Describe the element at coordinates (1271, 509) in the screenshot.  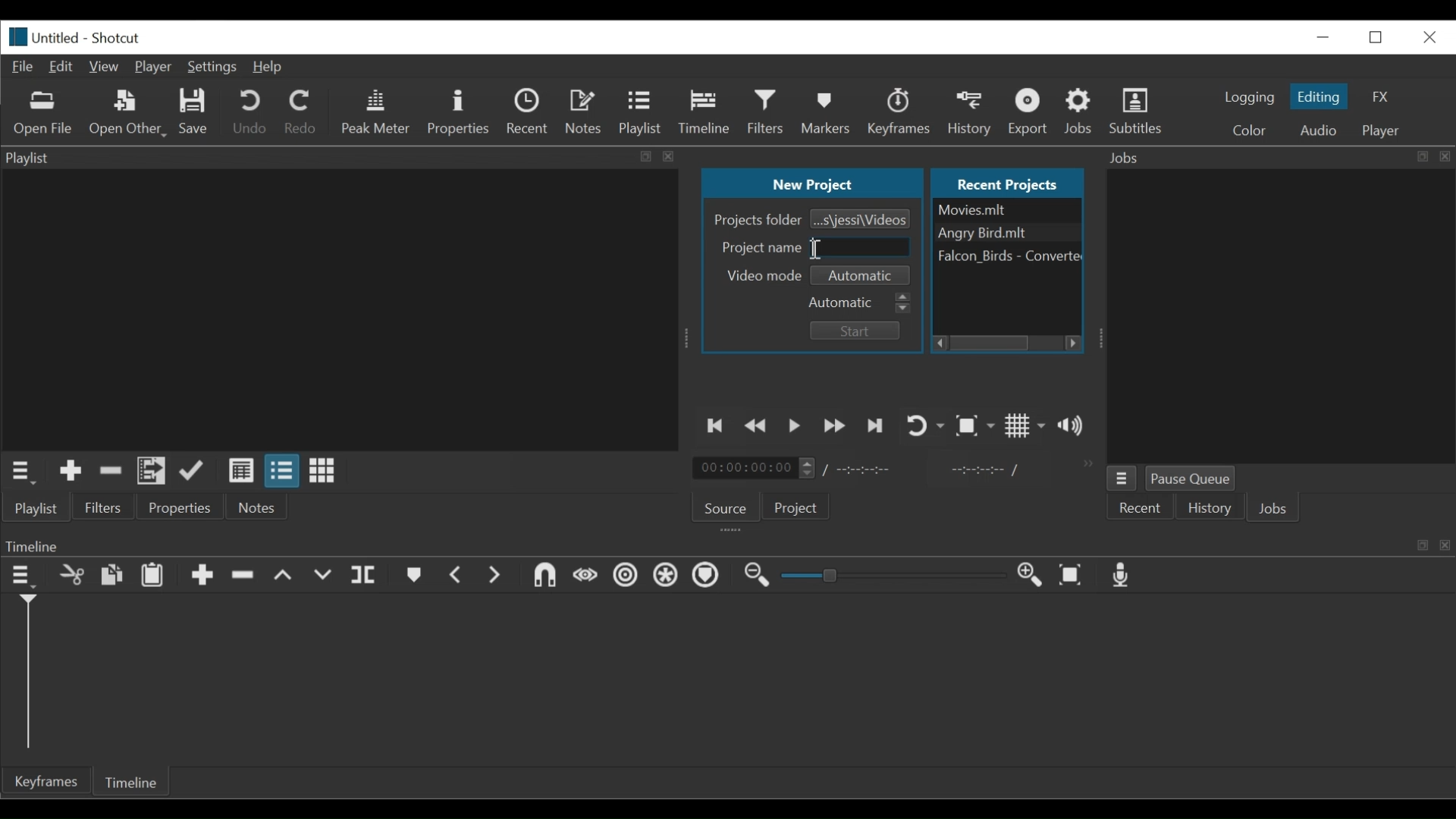
I see `Jobs` at that location.